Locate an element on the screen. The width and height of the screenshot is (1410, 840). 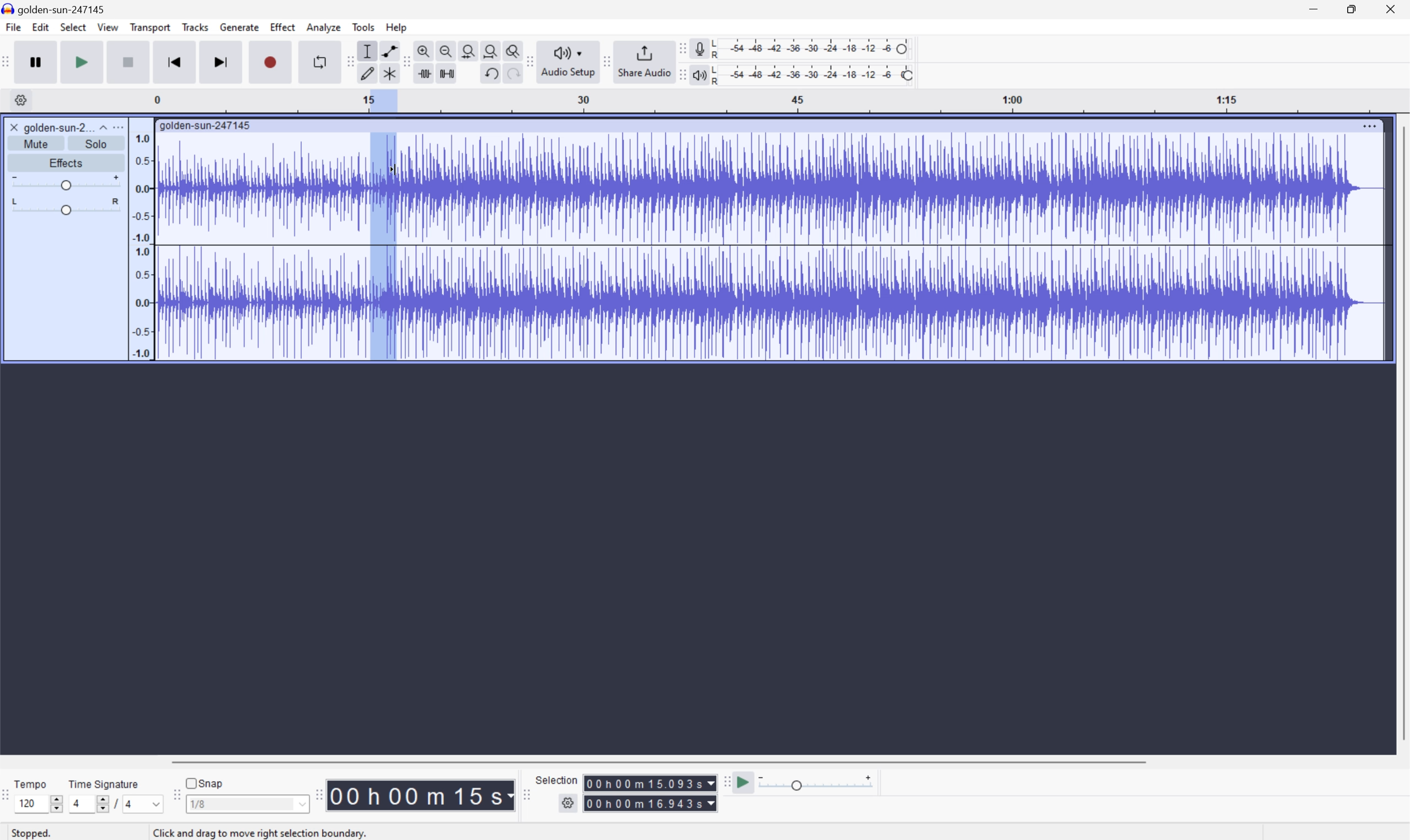
Trim audio outside selection is located at coordinates (422, 74).